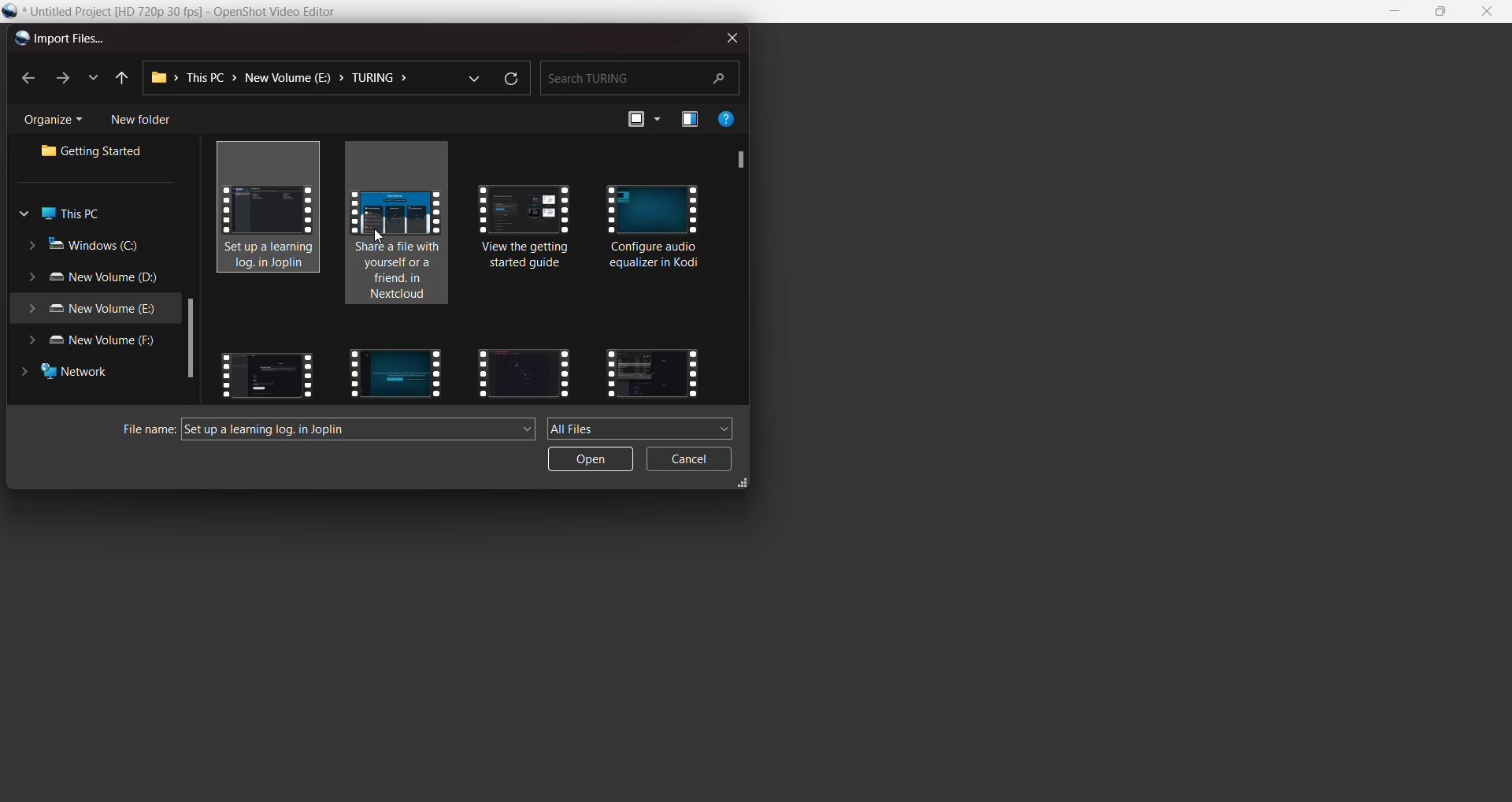 The image size is (1512, 802). I want to click on videos, so click(391, 371).